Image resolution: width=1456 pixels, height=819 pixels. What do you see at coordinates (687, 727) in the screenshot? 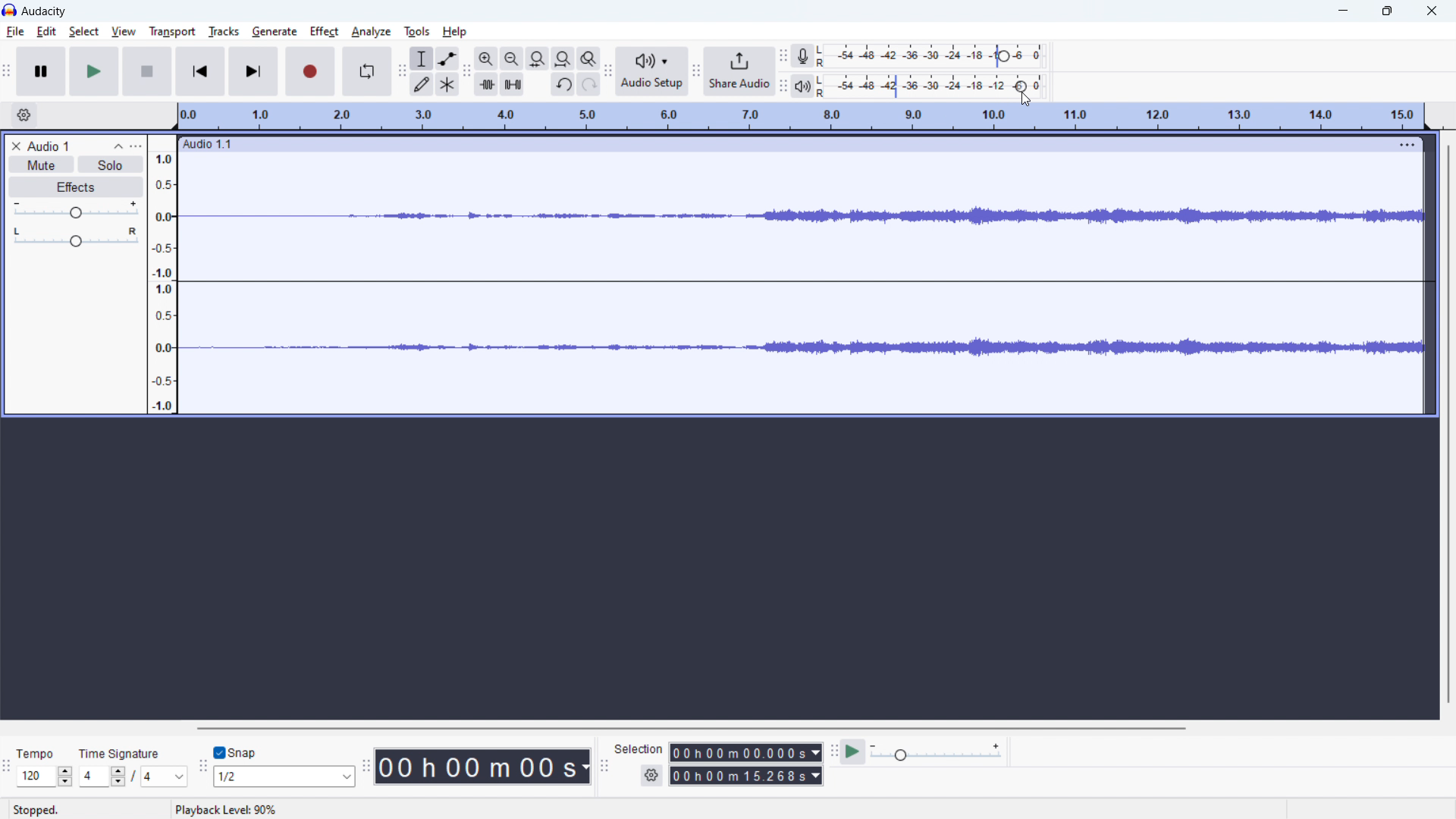
I see `horizontal scrollbar` at bounding box center [687, 727].